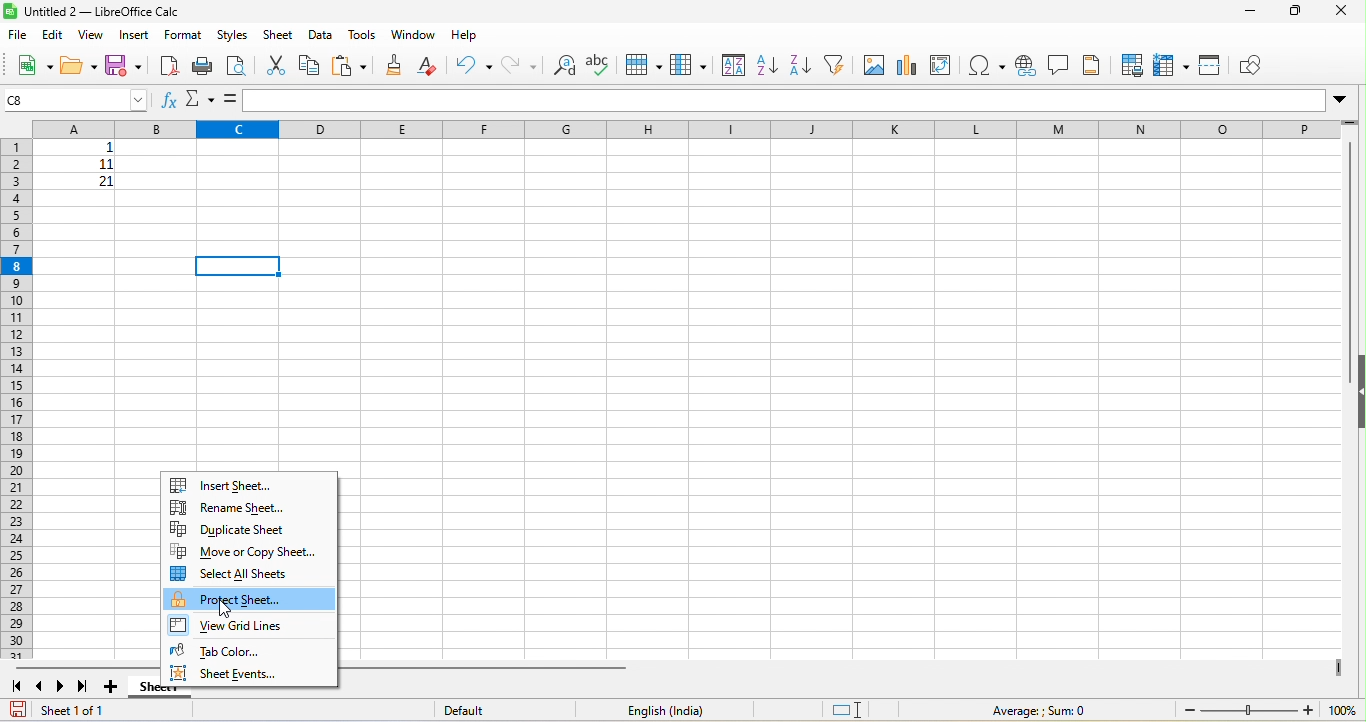 Image resolution: width=1366 pixels, height=722 pixels. What do you see at coordinates (244, 574) in the screenshot?
I see `select all sheet` at bounding box center [244, 574].